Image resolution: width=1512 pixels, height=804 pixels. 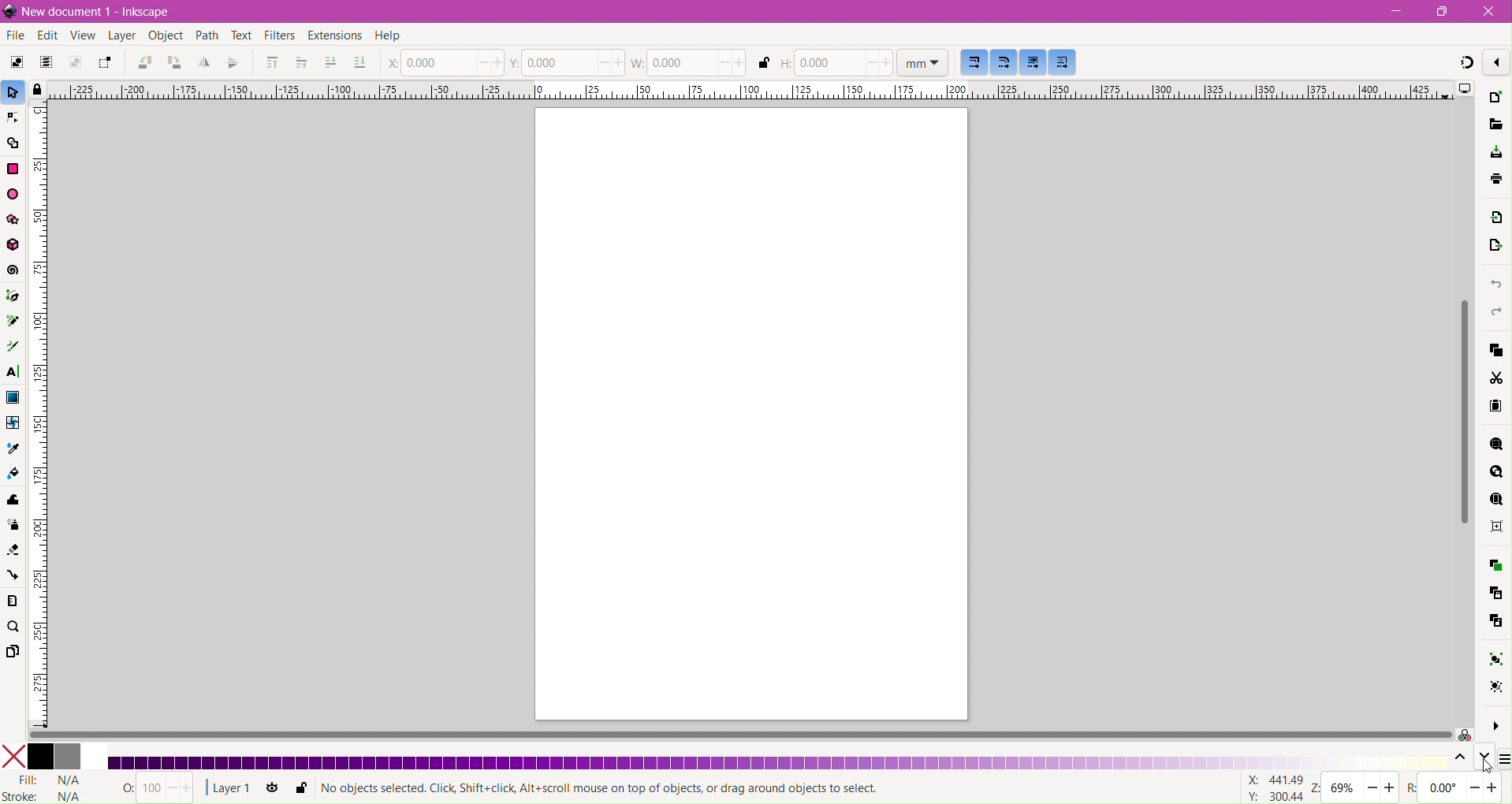 What do you see at coordinates (832, 63) in the screenshot?
I see `Set Height of the document` at bounding box center [832, 63].